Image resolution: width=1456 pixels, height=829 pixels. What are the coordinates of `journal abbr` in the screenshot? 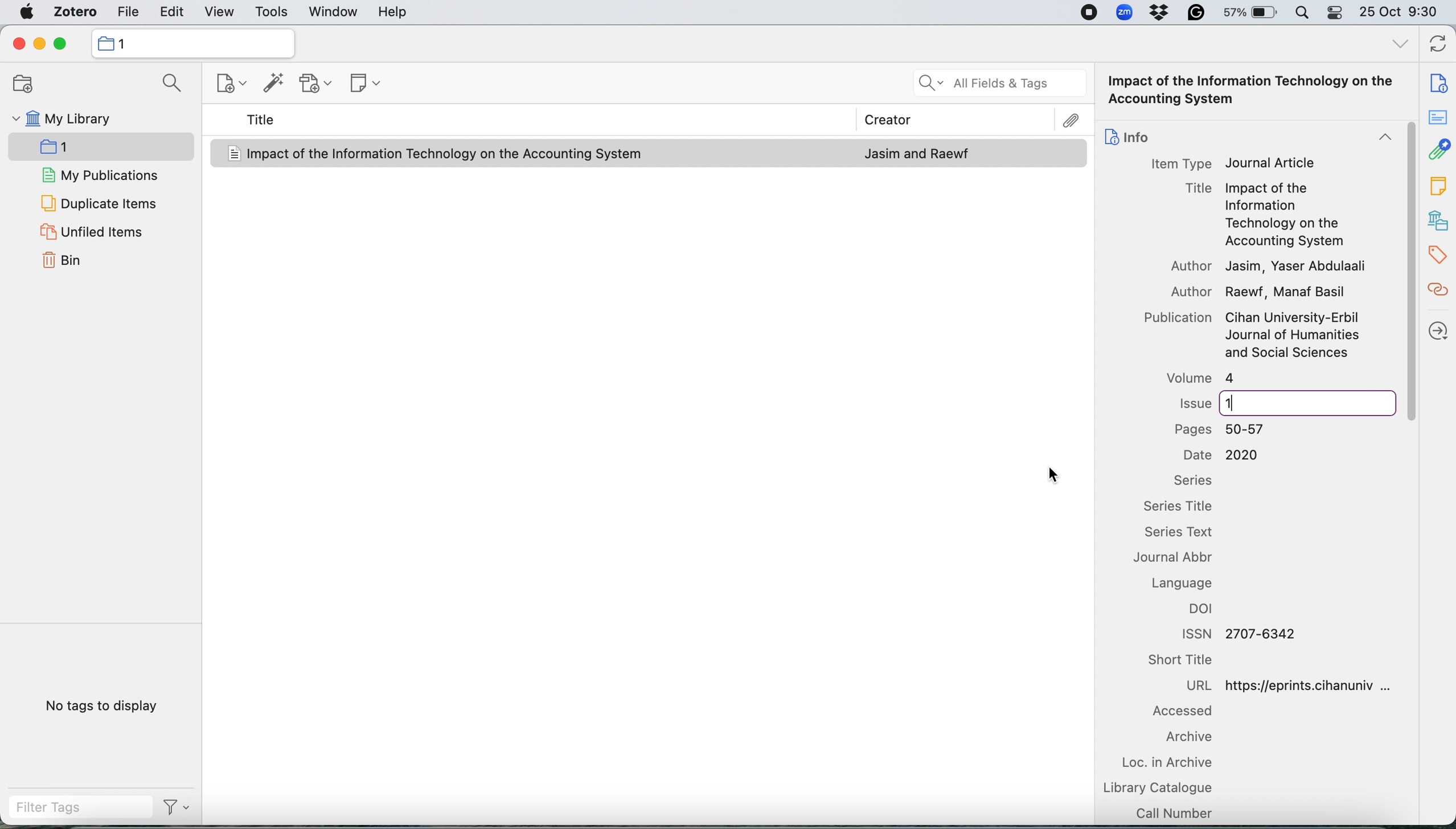 It's located at (1183, 560).